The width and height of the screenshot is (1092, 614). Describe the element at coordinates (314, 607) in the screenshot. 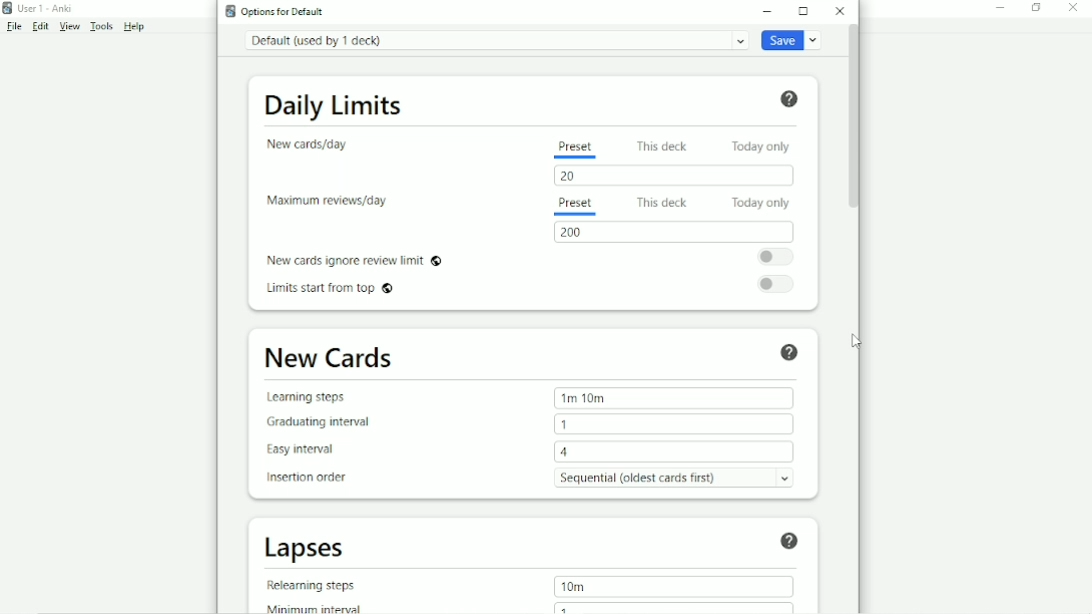

I see `Minimum interval` at that location.